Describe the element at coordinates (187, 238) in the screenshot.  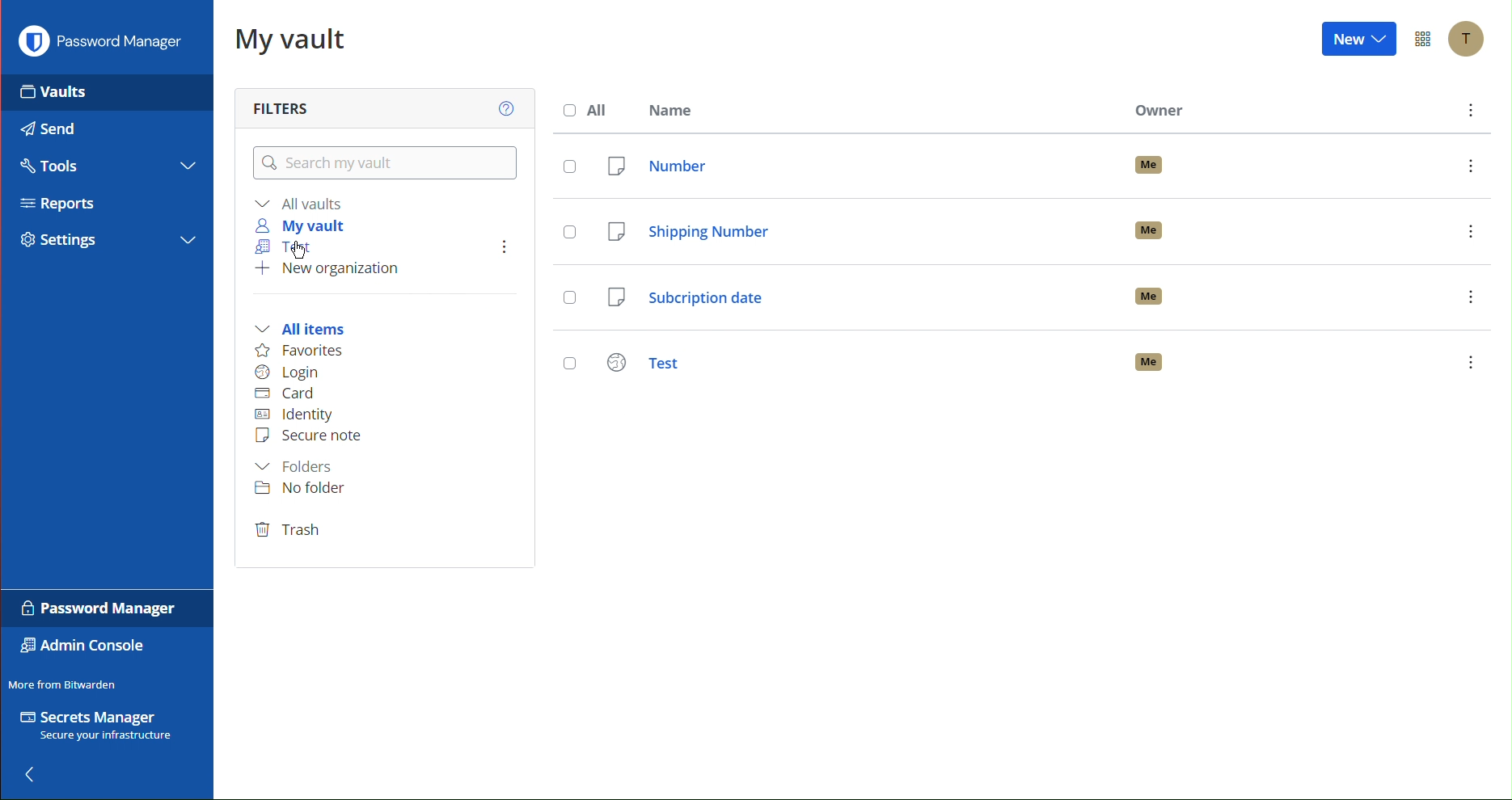
I see `expand/collapse` at that location.